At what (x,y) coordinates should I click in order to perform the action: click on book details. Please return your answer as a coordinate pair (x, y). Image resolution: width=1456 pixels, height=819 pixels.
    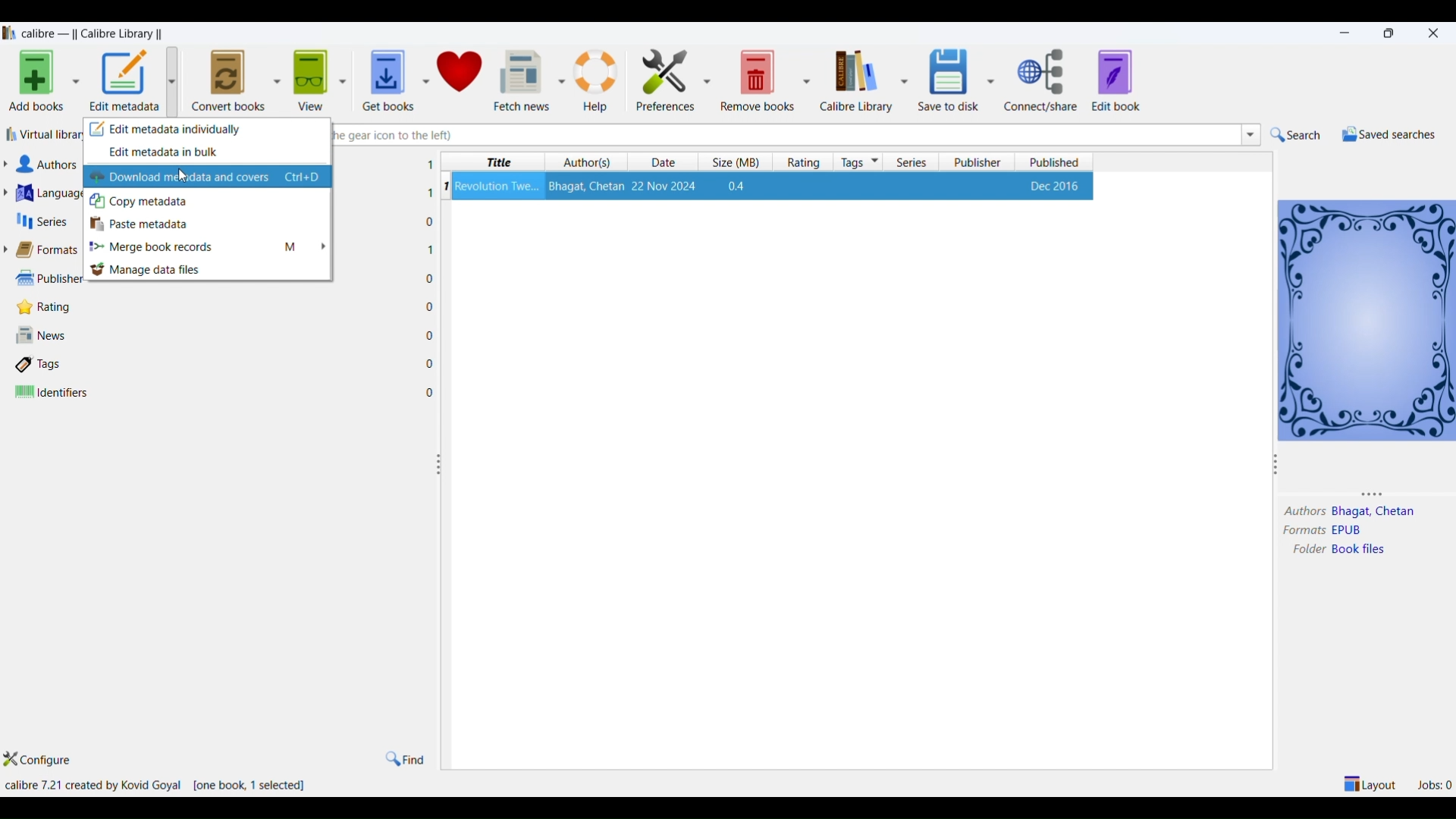
    Looking at the image, I should click on (773, 186).